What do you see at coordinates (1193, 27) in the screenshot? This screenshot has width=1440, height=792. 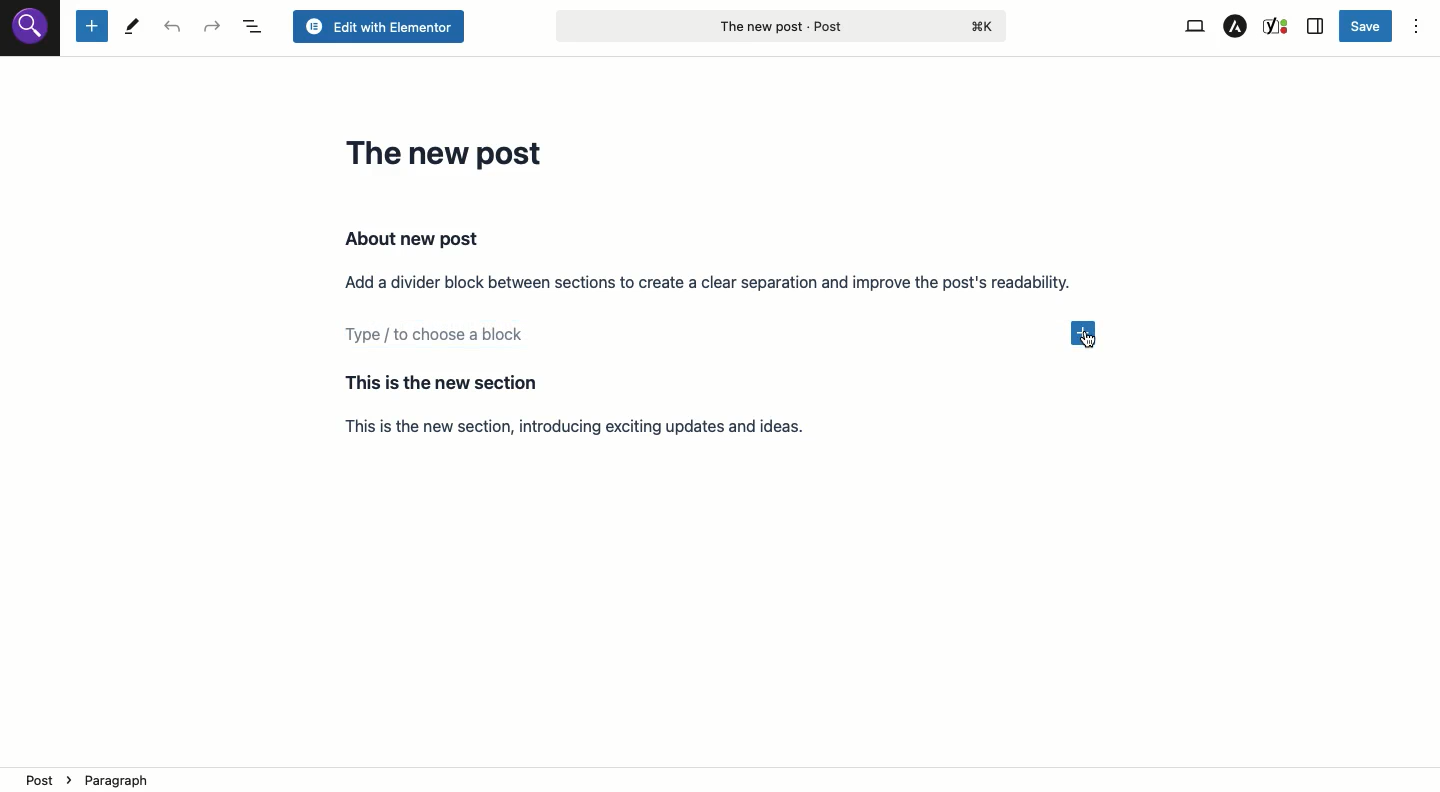 I see `View` at bounding box center [1193, 27].